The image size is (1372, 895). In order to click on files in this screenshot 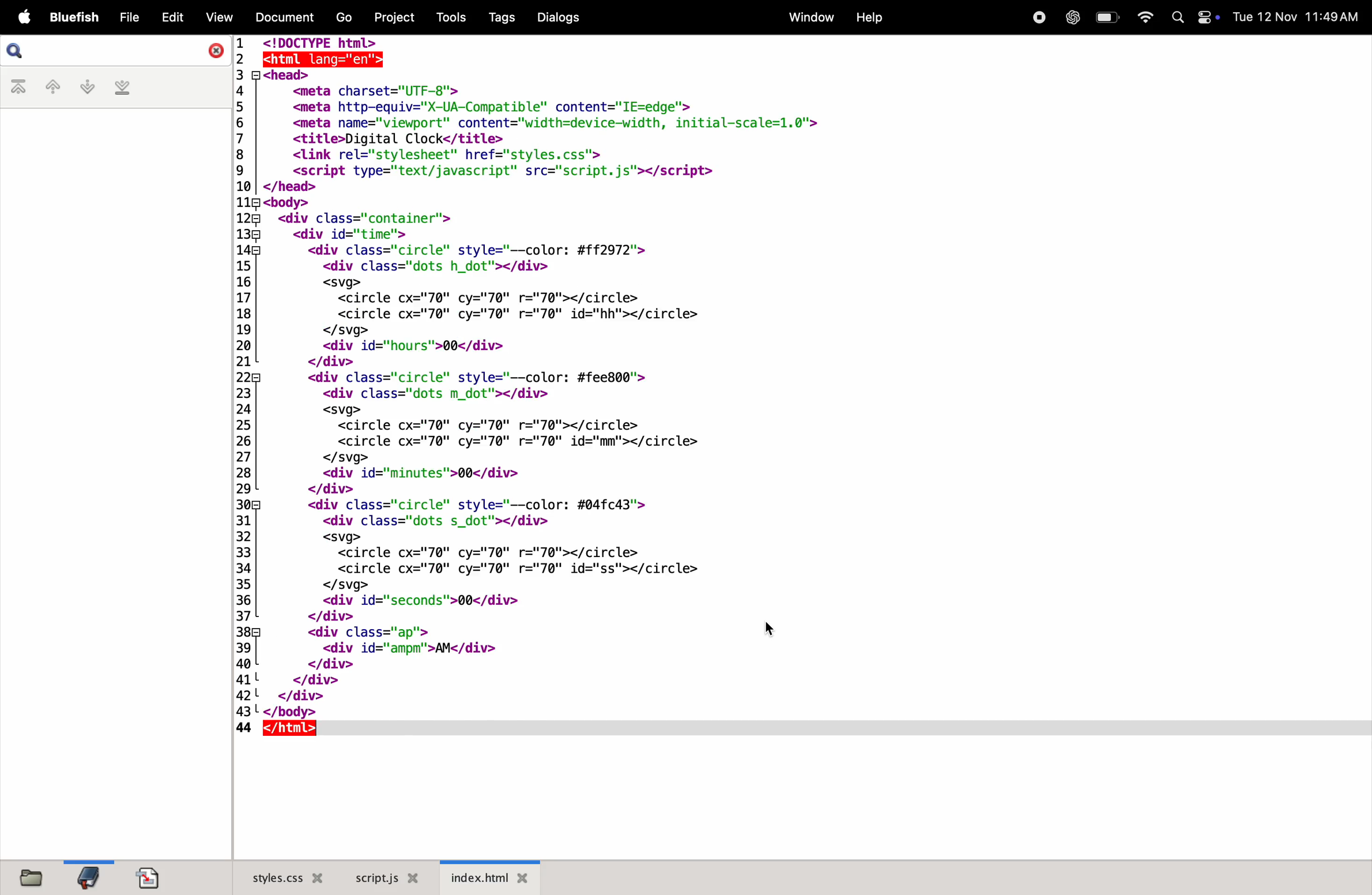, I will do `click(29, 877)`.